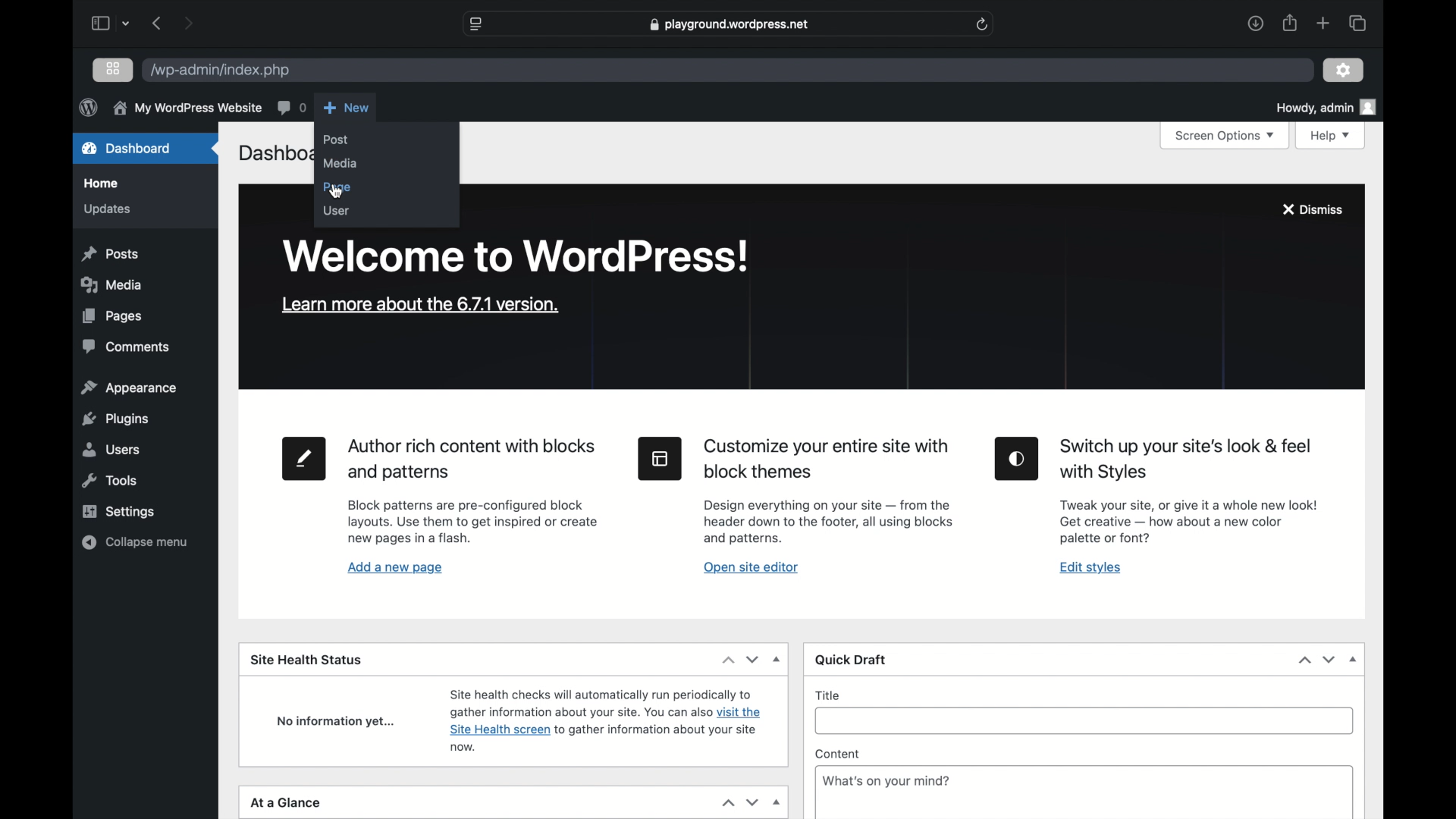  Describe the element at coordinates (1191, 521) in the screenshot. I see `edit styles tool information` at that location.